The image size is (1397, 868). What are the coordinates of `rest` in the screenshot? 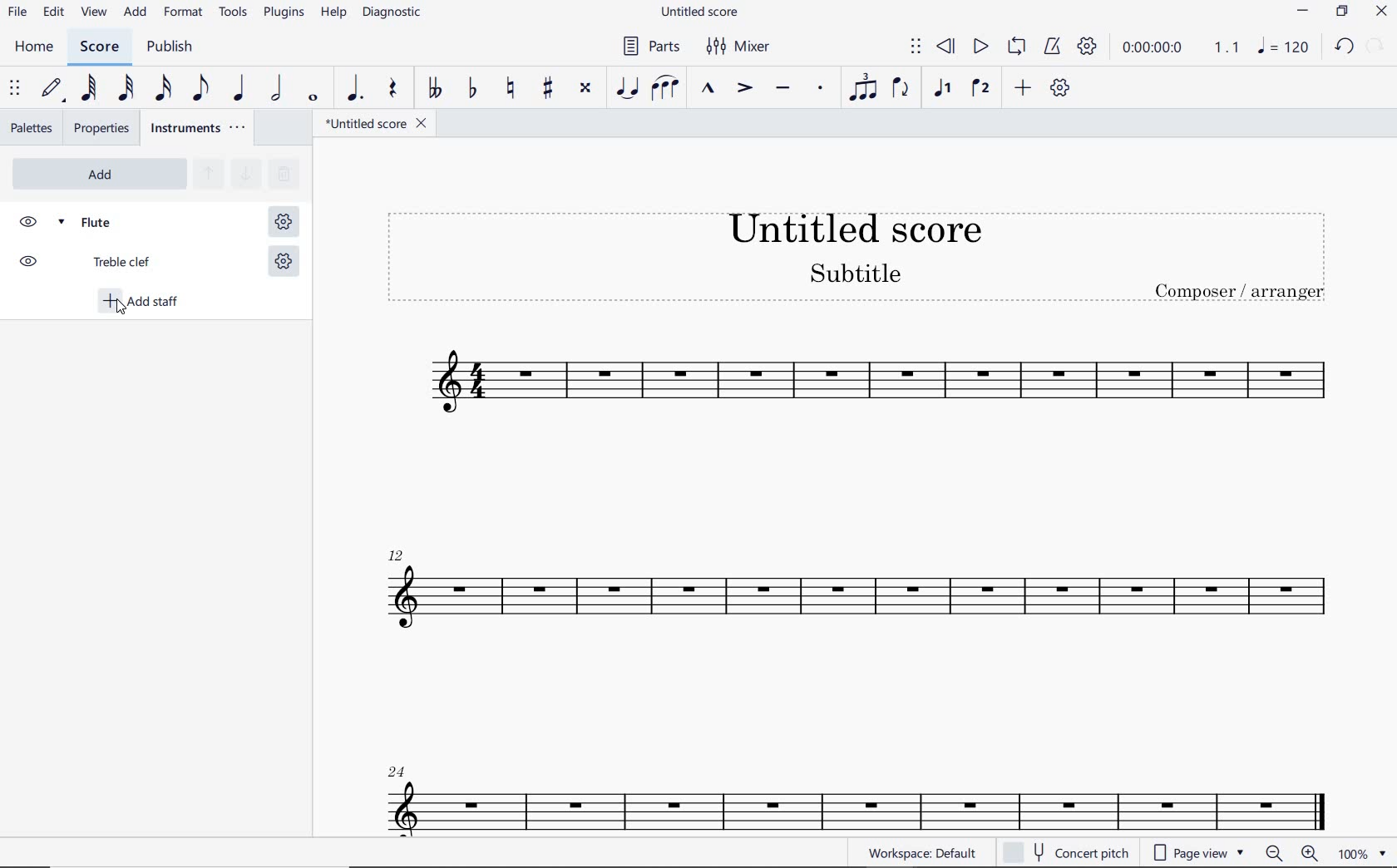 It's located at (391, 91).